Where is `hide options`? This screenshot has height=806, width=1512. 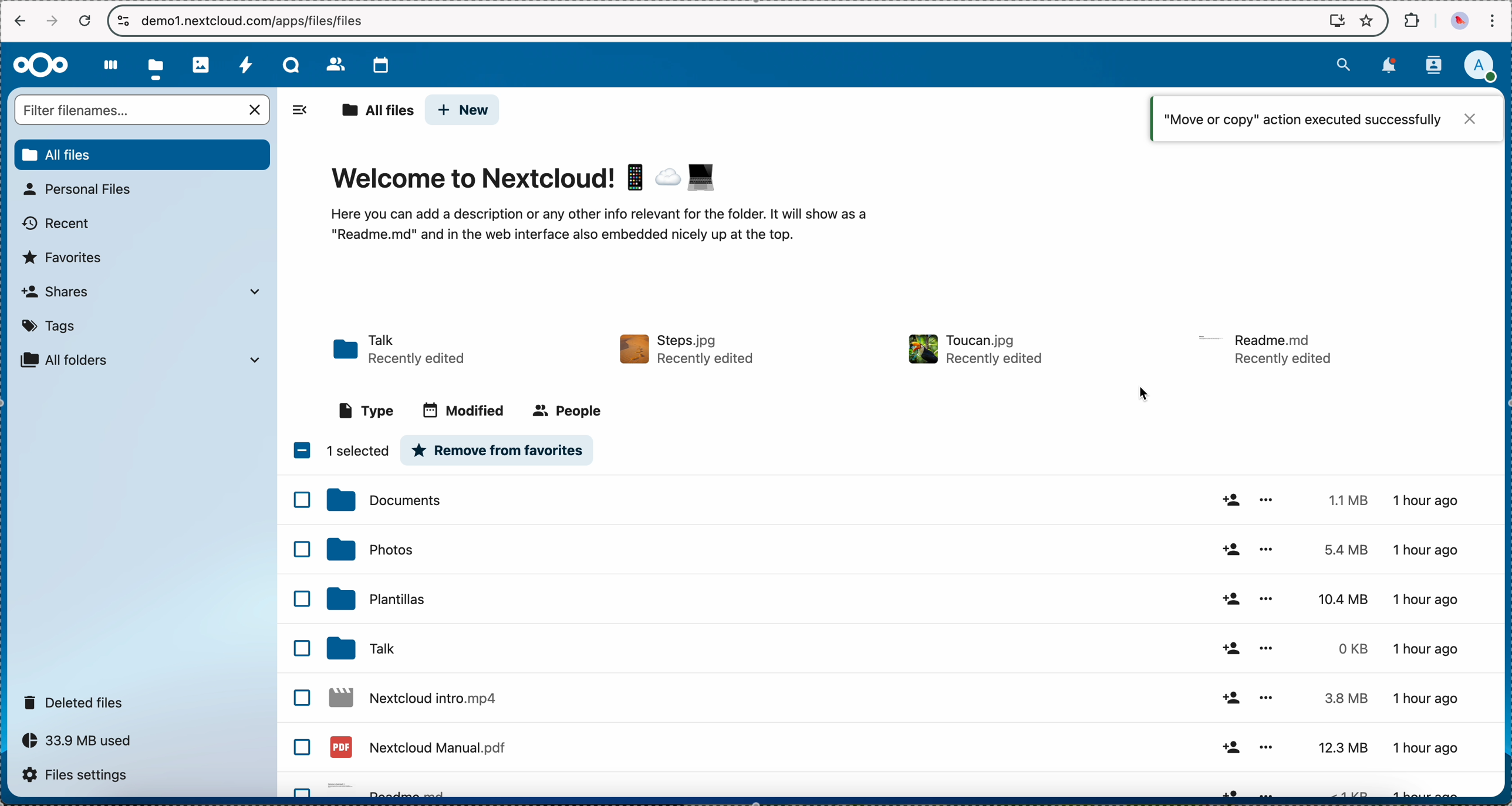
hide options is located at coordinates (305, 110).